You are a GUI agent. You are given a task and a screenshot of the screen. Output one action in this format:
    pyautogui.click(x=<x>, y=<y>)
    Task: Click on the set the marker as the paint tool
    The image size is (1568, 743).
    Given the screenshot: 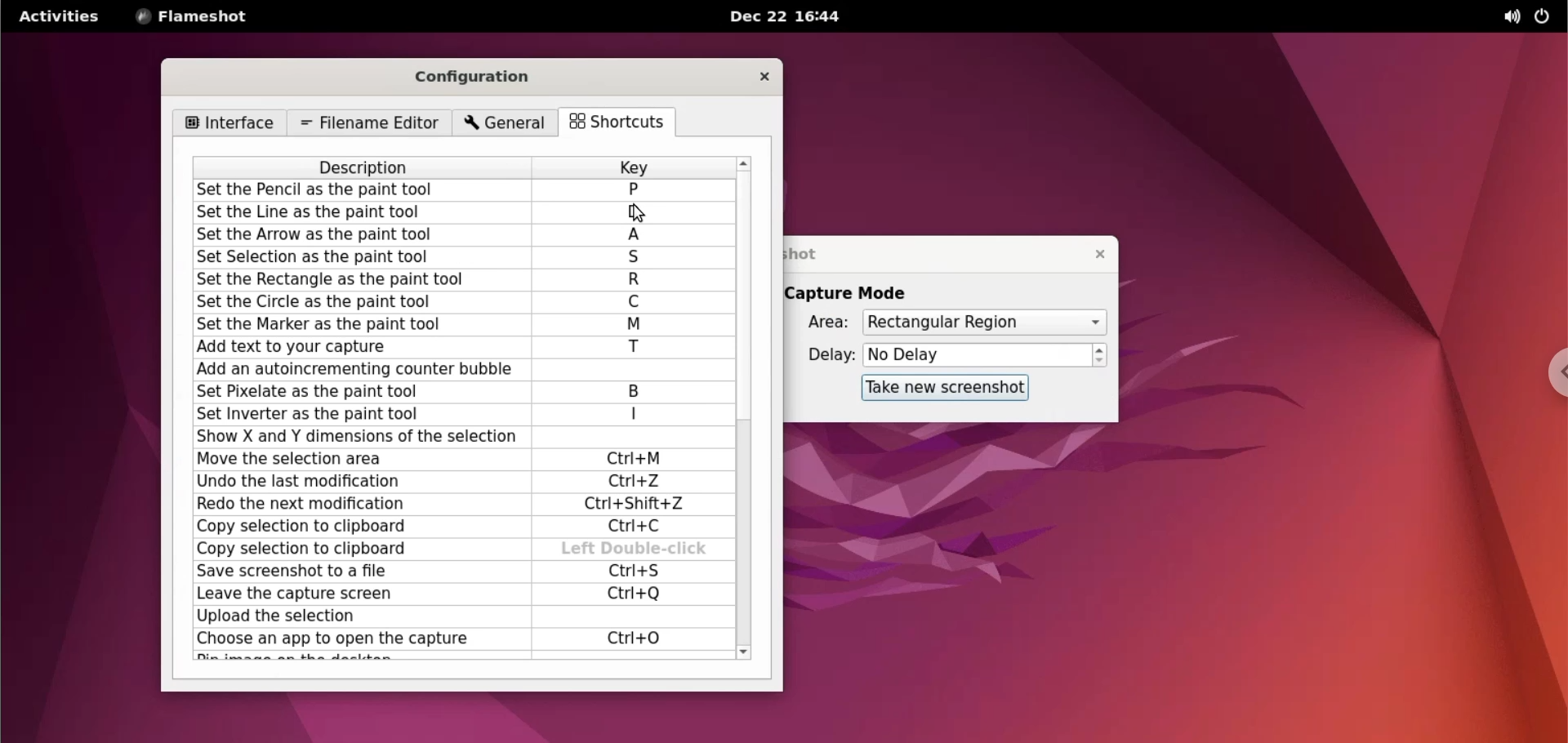 What is the action you would take?
    pyautogui.click(x=360, y=324)
    